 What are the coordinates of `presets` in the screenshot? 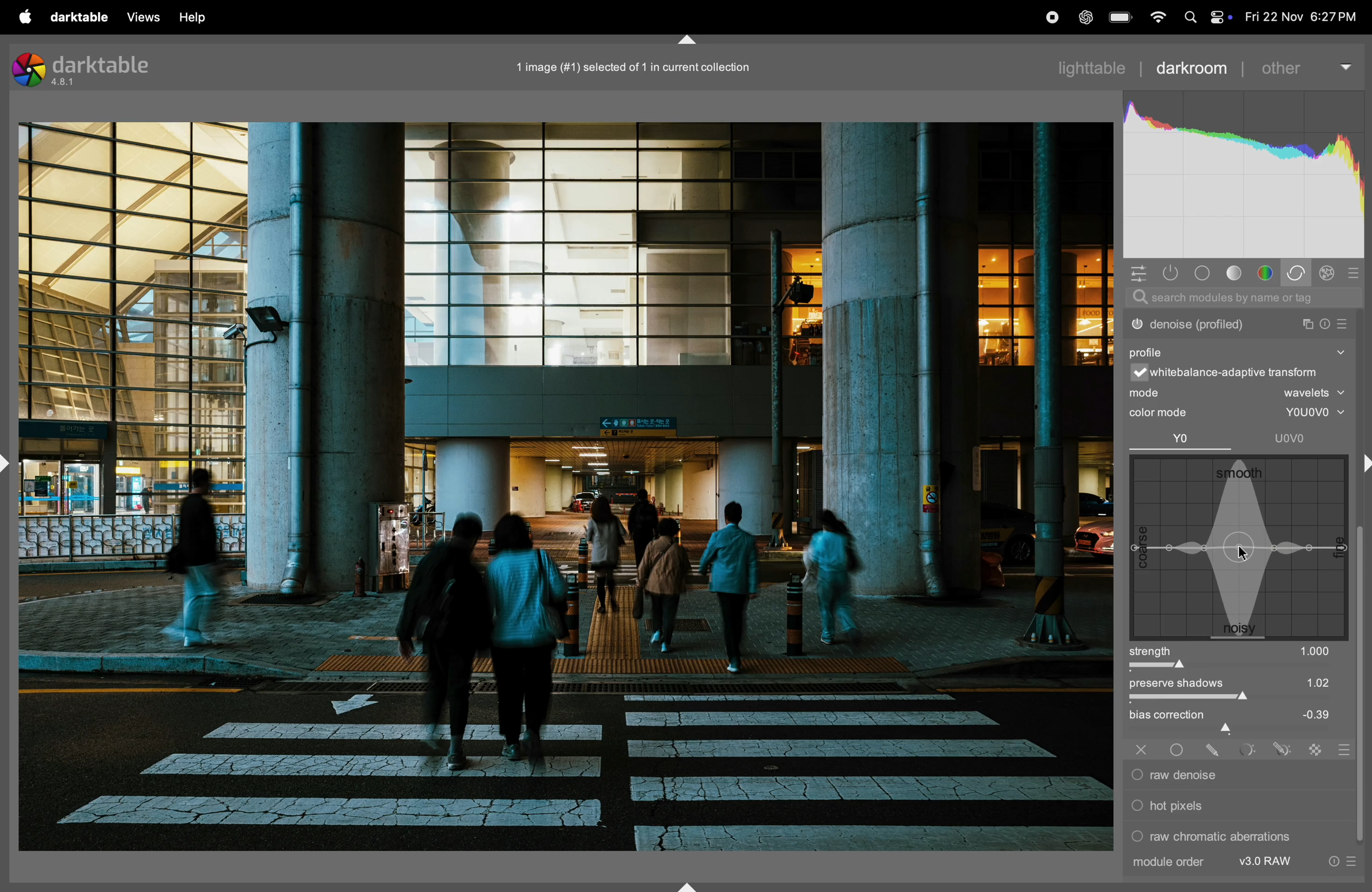 It's located at (1354, 274).